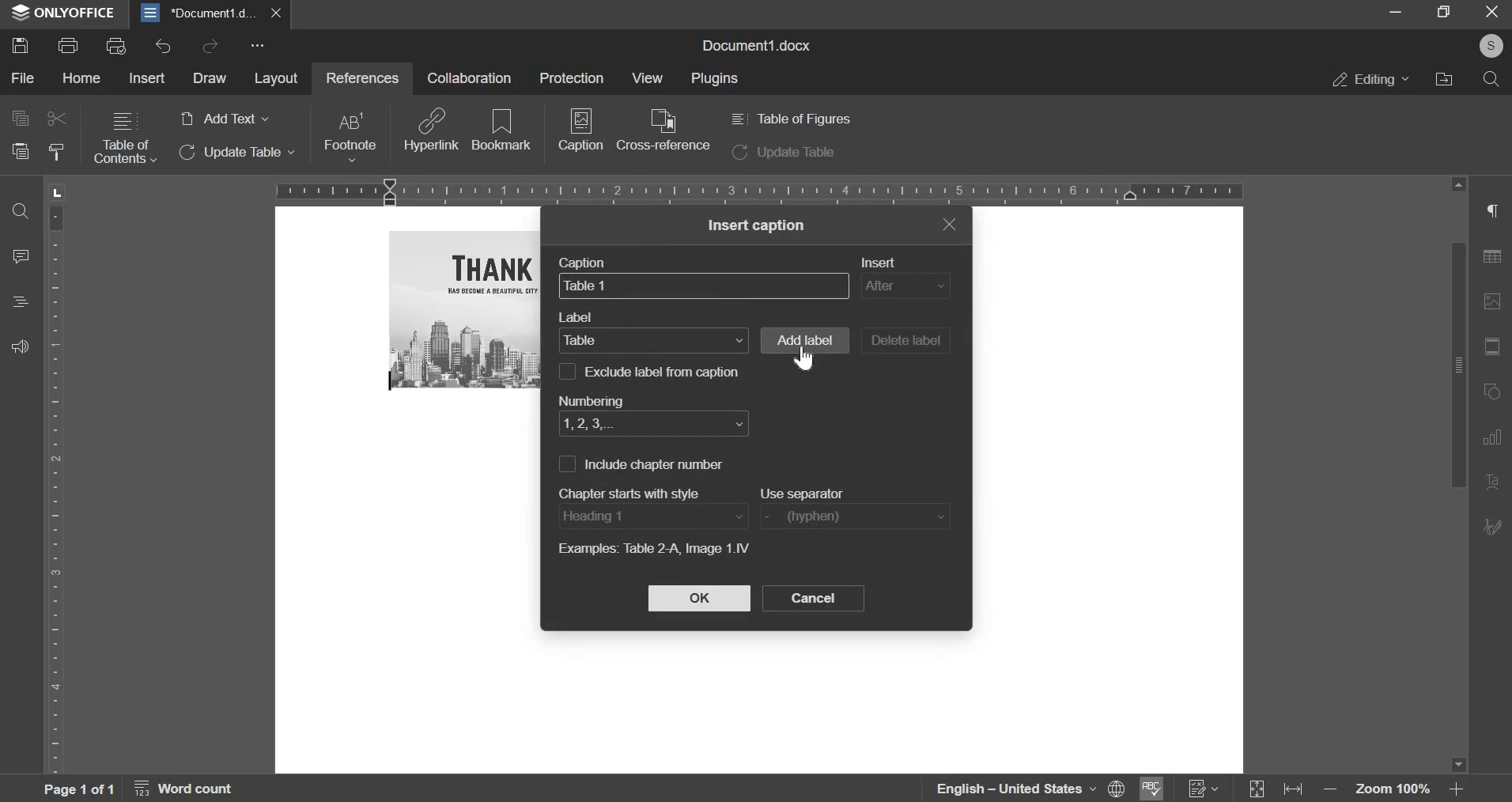  Describe the element at coordinates (1297, 791) in the screenshot. I see `fit` at that location.